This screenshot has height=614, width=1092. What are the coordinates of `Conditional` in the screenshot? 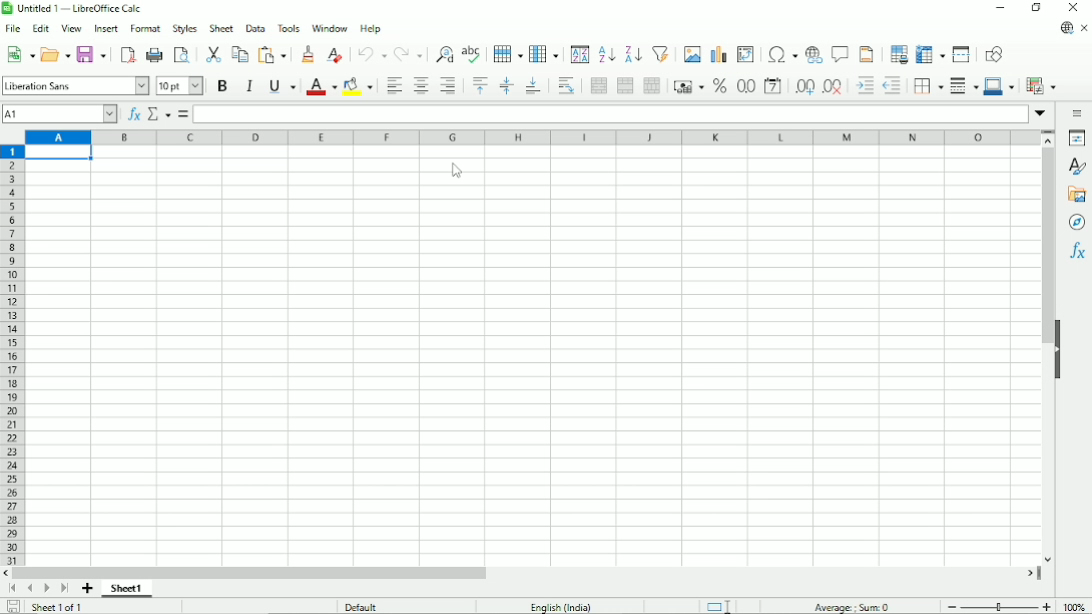 It's located at (1042, 85).